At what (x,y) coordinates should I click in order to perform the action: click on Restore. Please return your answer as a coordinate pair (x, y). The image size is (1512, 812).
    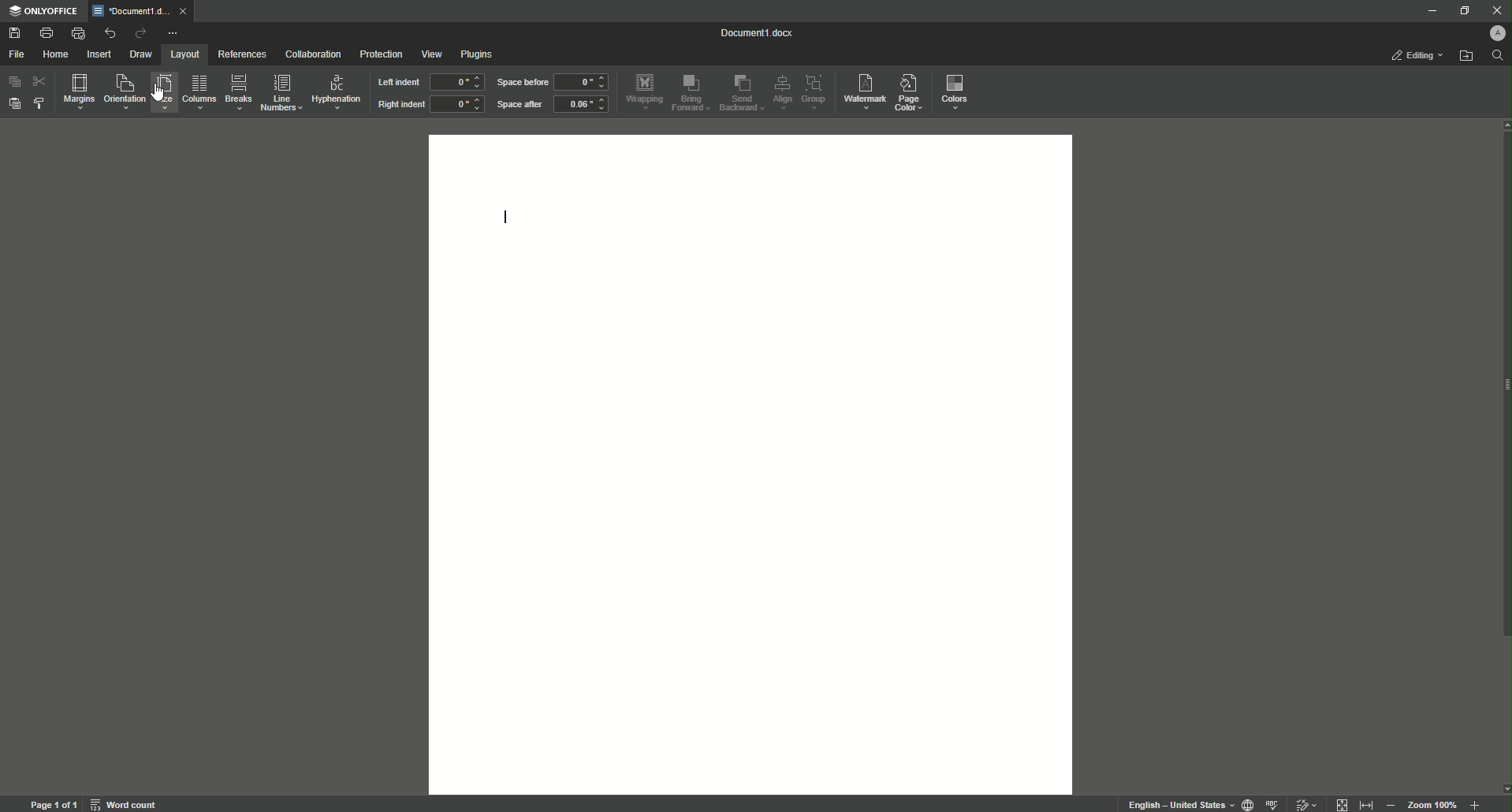
    Looking at the image, I should click on (1462, 10).